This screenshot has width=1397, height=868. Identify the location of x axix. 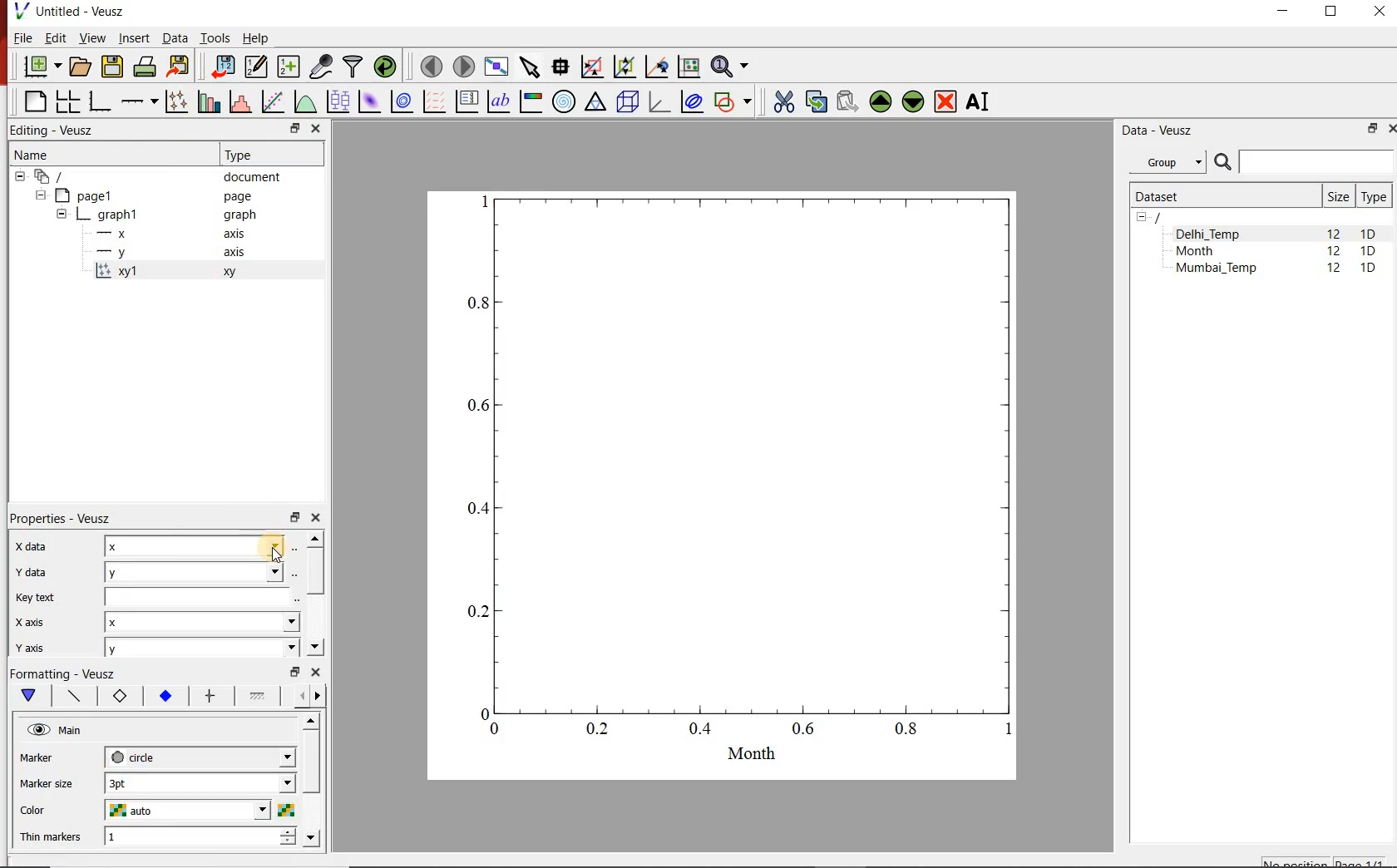
(26, 620).